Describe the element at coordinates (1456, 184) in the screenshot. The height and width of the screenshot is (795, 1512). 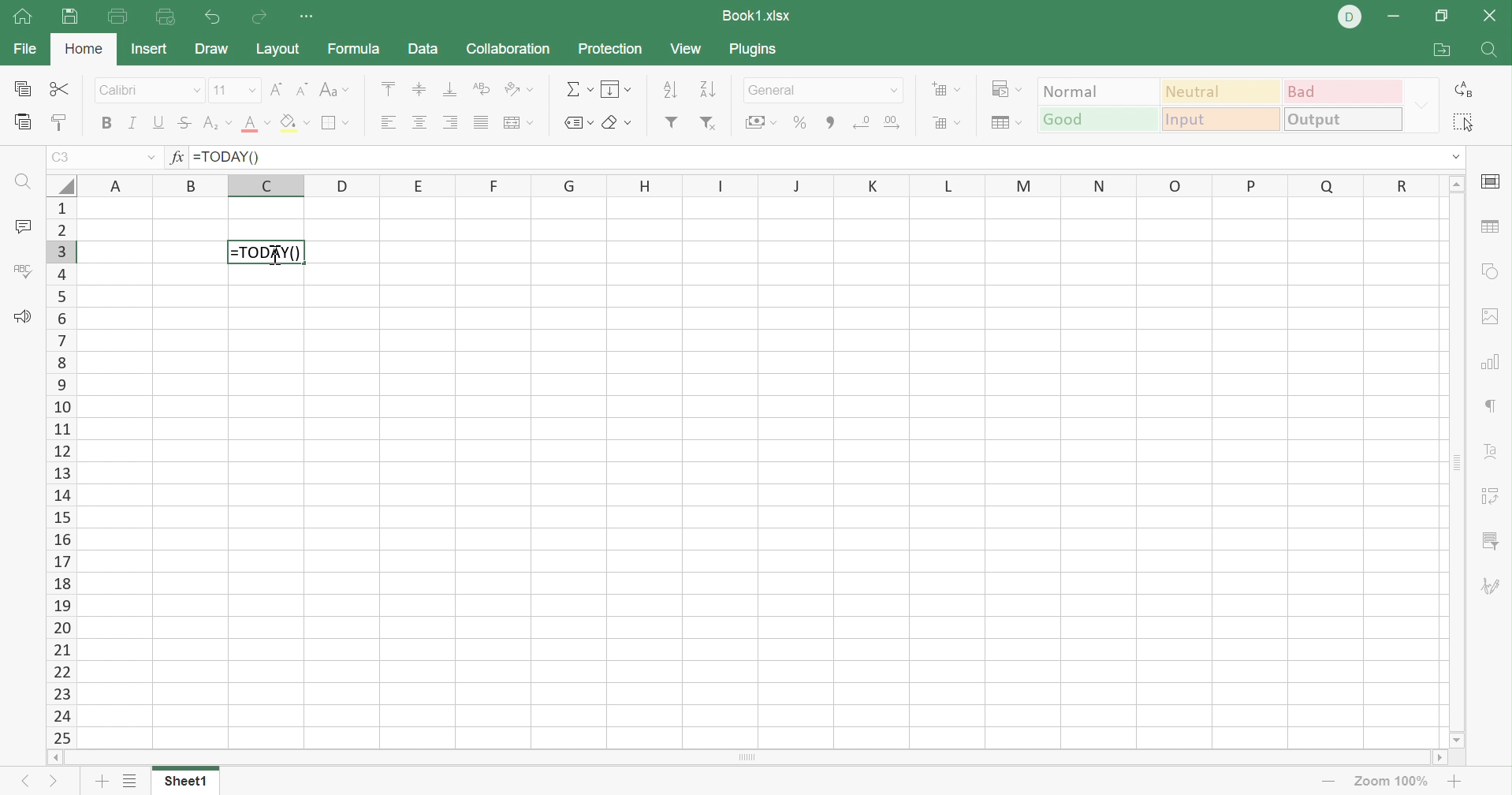
I see `Scroll Up` at that location.